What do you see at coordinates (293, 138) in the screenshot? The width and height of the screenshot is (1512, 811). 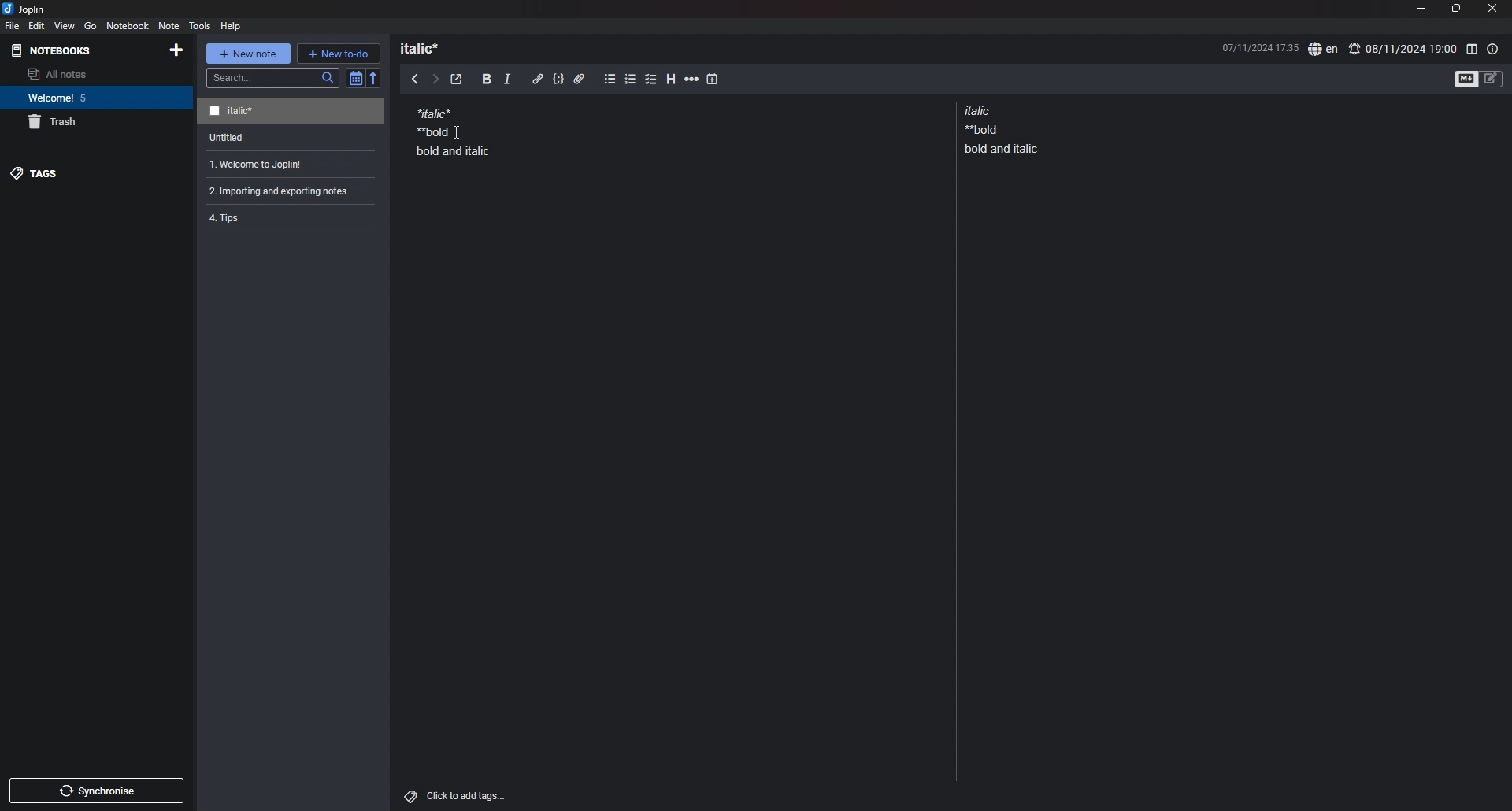 I see `note` at bounding box center [293, 138].